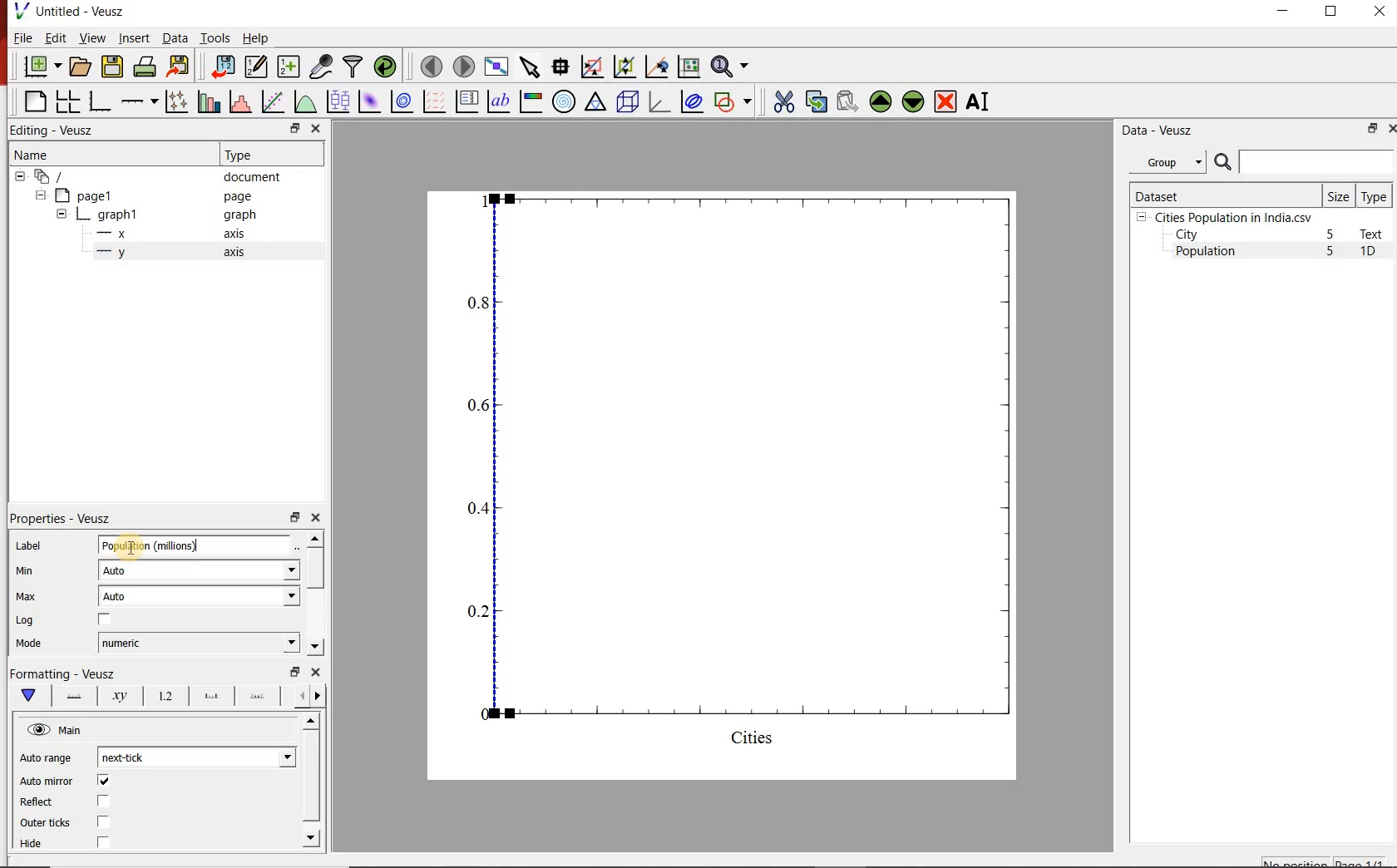 The image size is (1397, 868). What do you see at coordinates (71, 12) in the screenshot?
I see `Untitled-Veusz` at bounding box center [71, 12].